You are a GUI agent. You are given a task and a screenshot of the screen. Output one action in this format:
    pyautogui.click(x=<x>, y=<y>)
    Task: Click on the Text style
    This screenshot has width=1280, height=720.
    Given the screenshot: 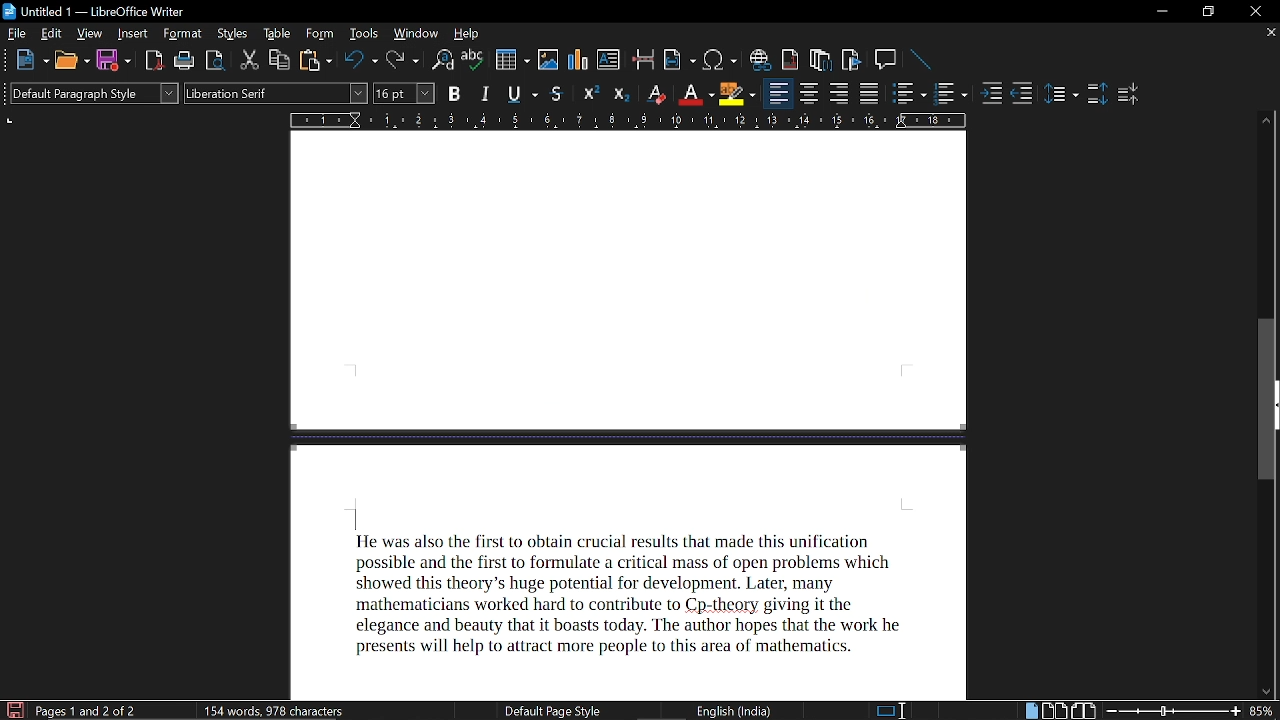 What is the action you would take?
    pyautogui.click(x=276, y=94)
    